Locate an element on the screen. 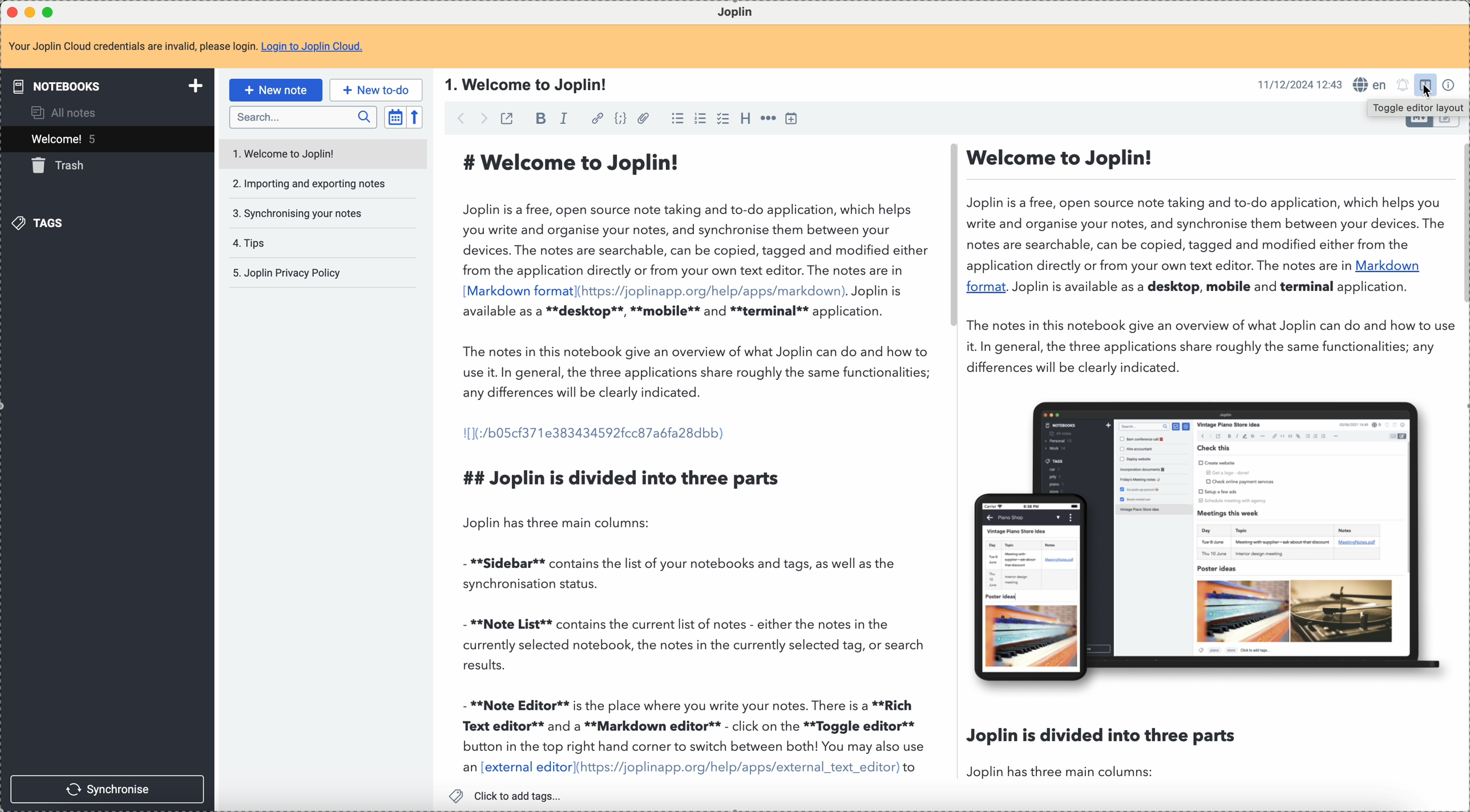  foward is located at coordinates (486, 119).